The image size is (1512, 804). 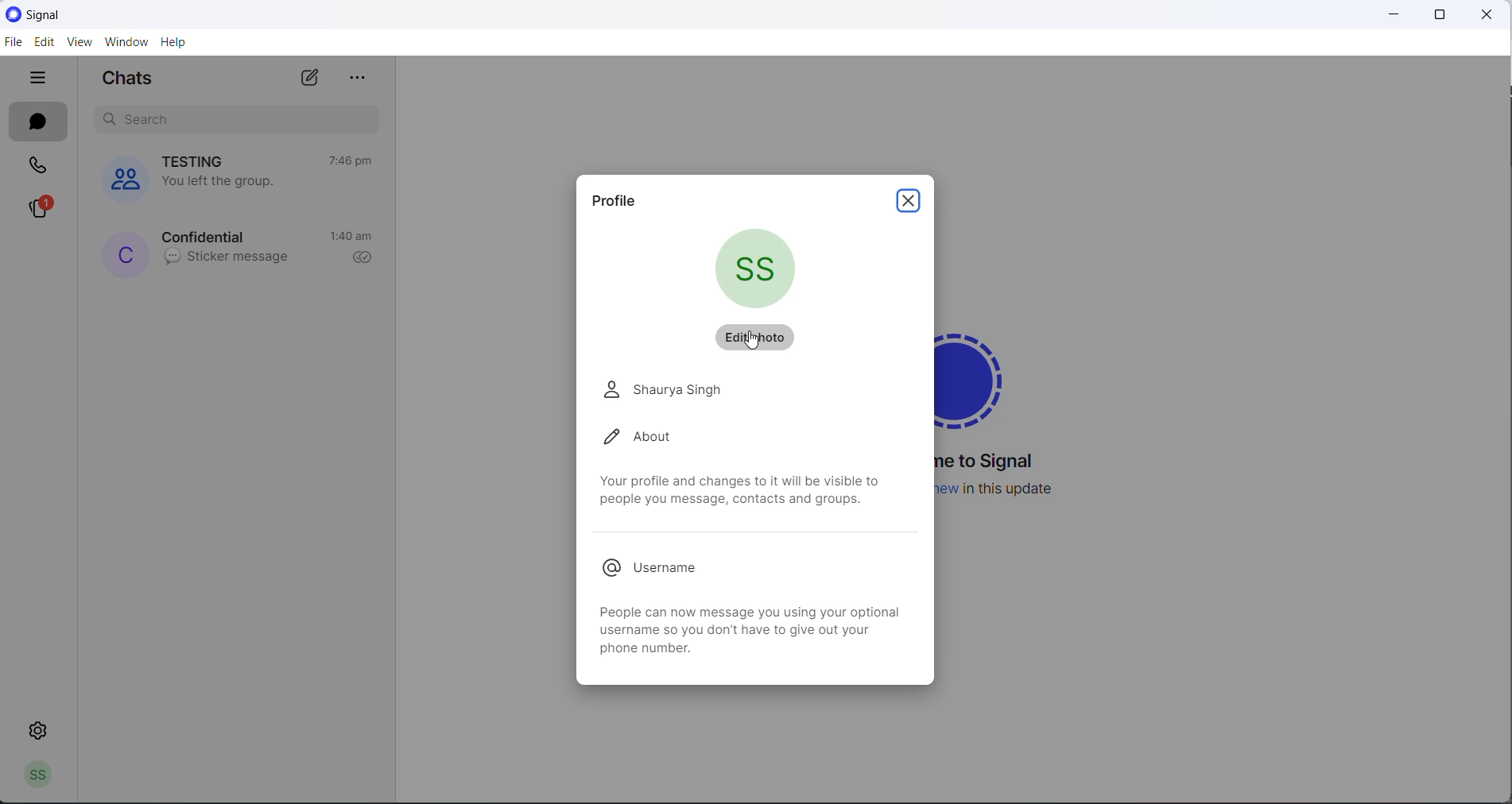 I want to click on welcome message, so click(x=993, y=462).